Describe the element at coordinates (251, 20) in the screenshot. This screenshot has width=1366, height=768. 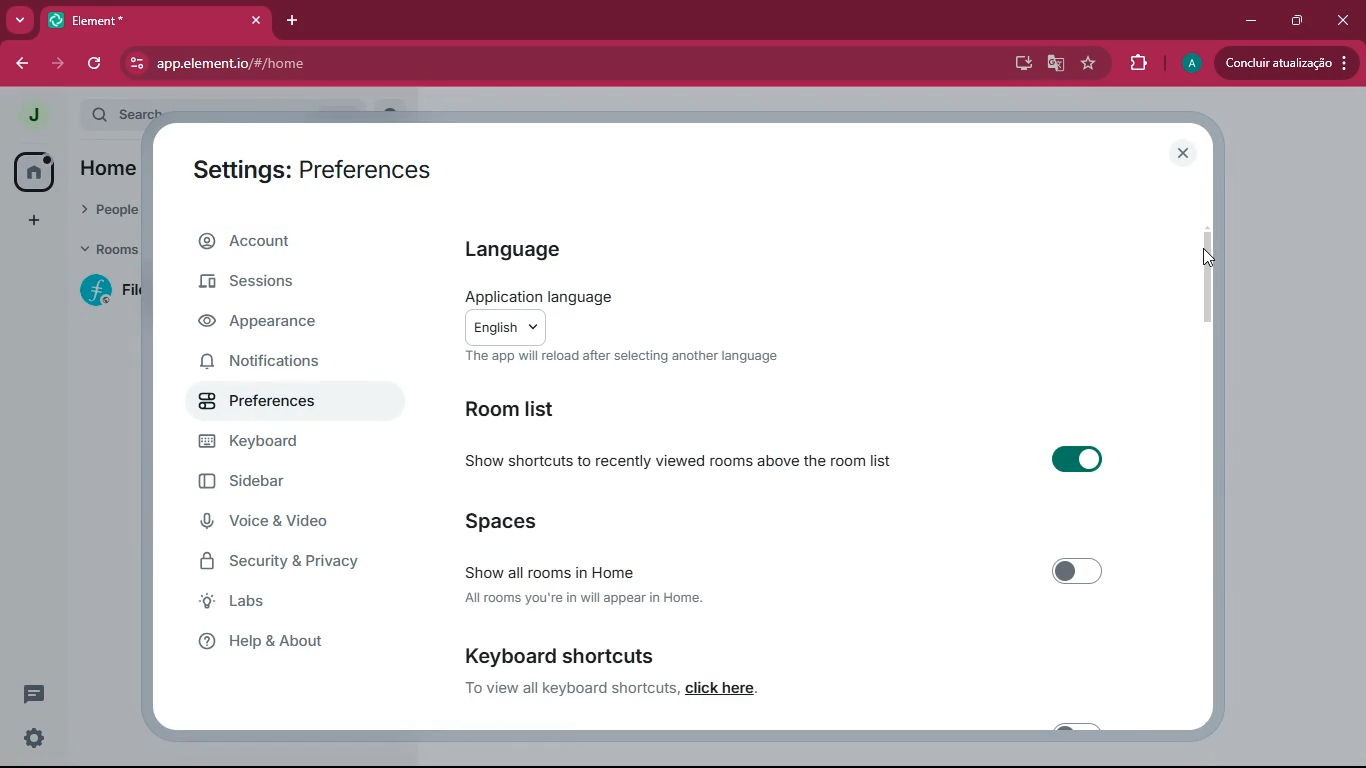
I see `close` at that location.